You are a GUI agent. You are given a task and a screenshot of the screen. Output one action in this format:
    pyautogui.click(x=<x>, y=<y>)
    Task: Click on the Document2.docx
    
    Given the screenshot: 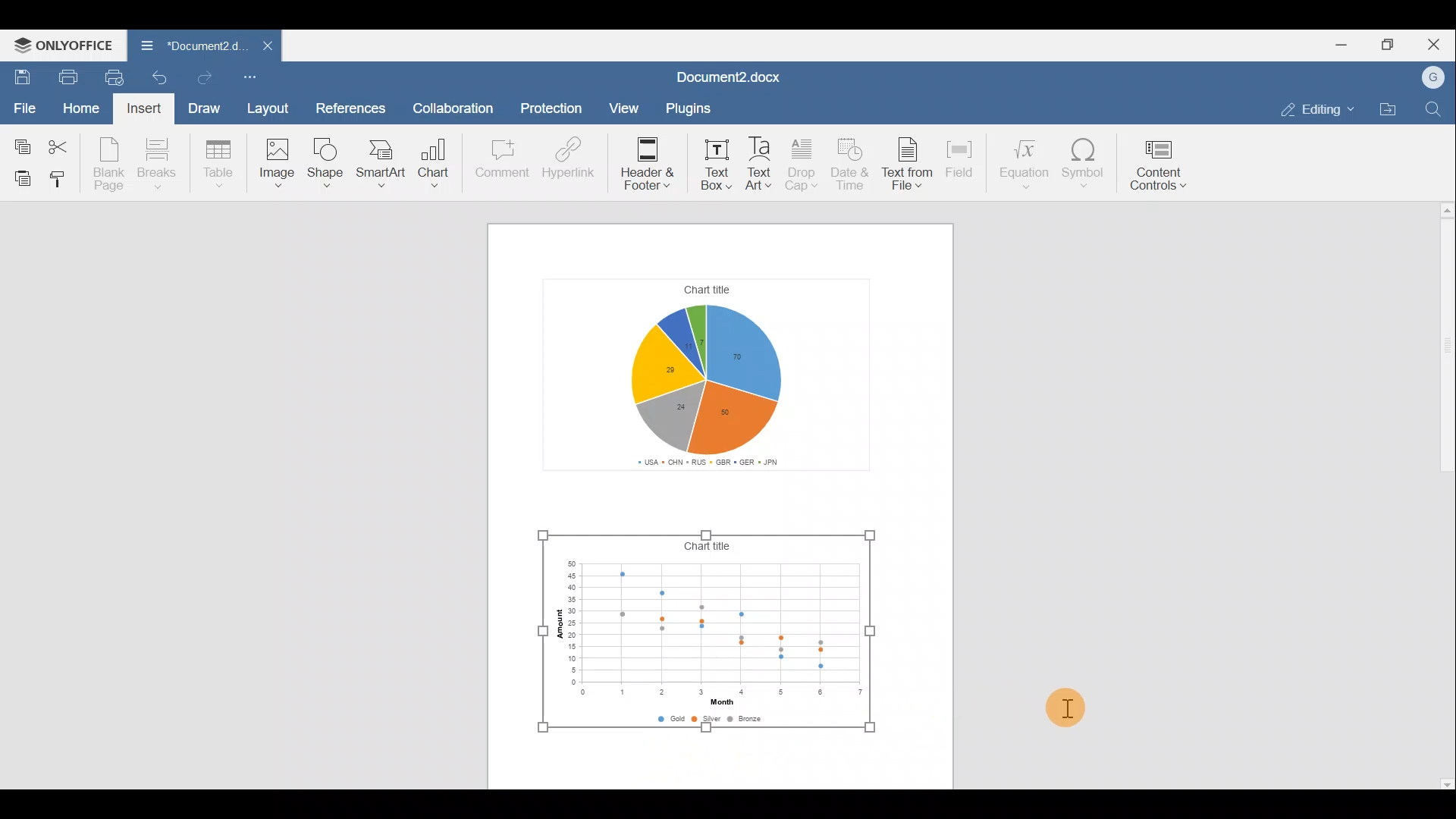 What is the action you would take?
    pyautogui.click(x=731, y=74)
    